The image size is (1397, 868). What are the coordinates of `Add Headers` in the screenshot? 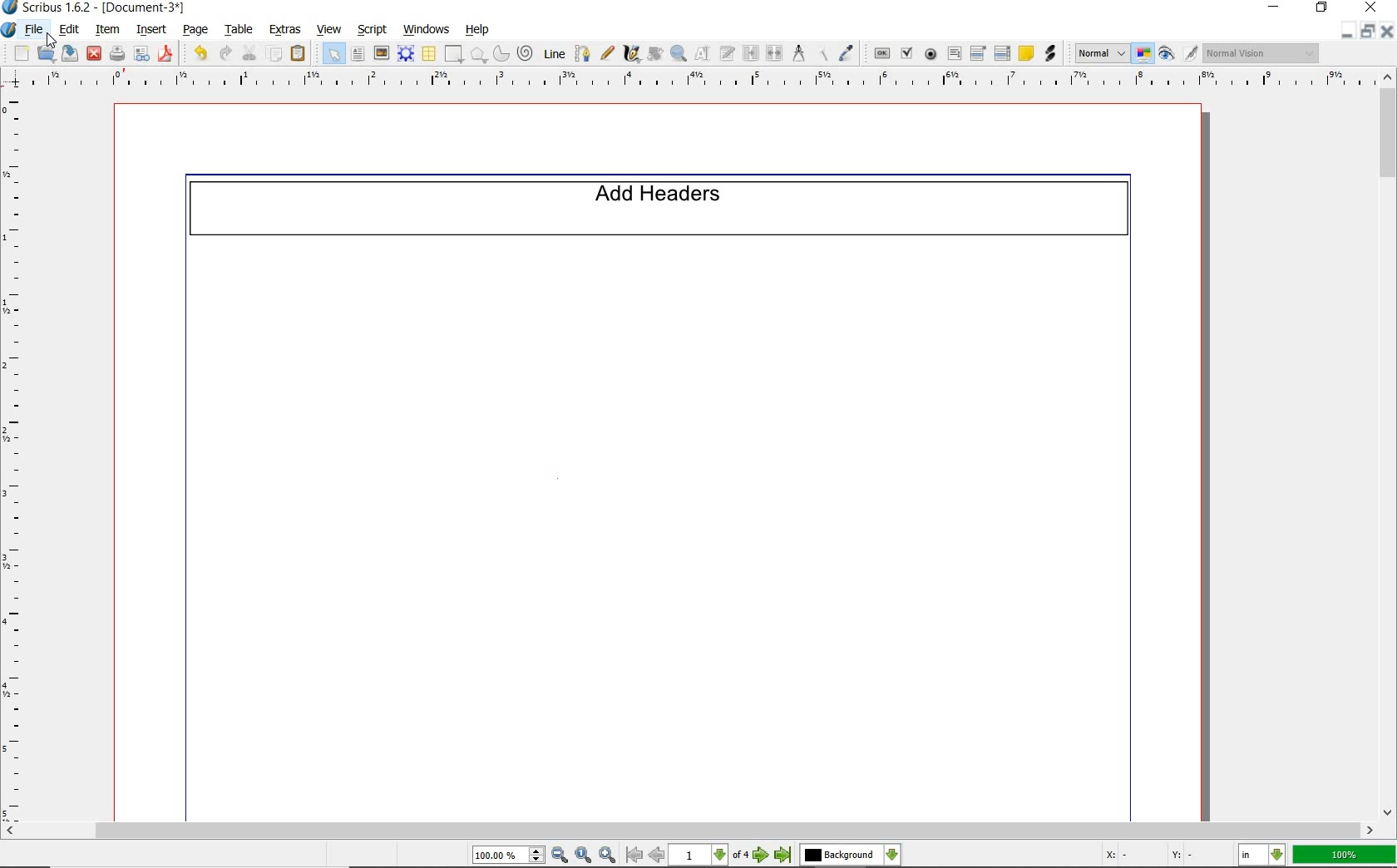 It's located at (664, 207).